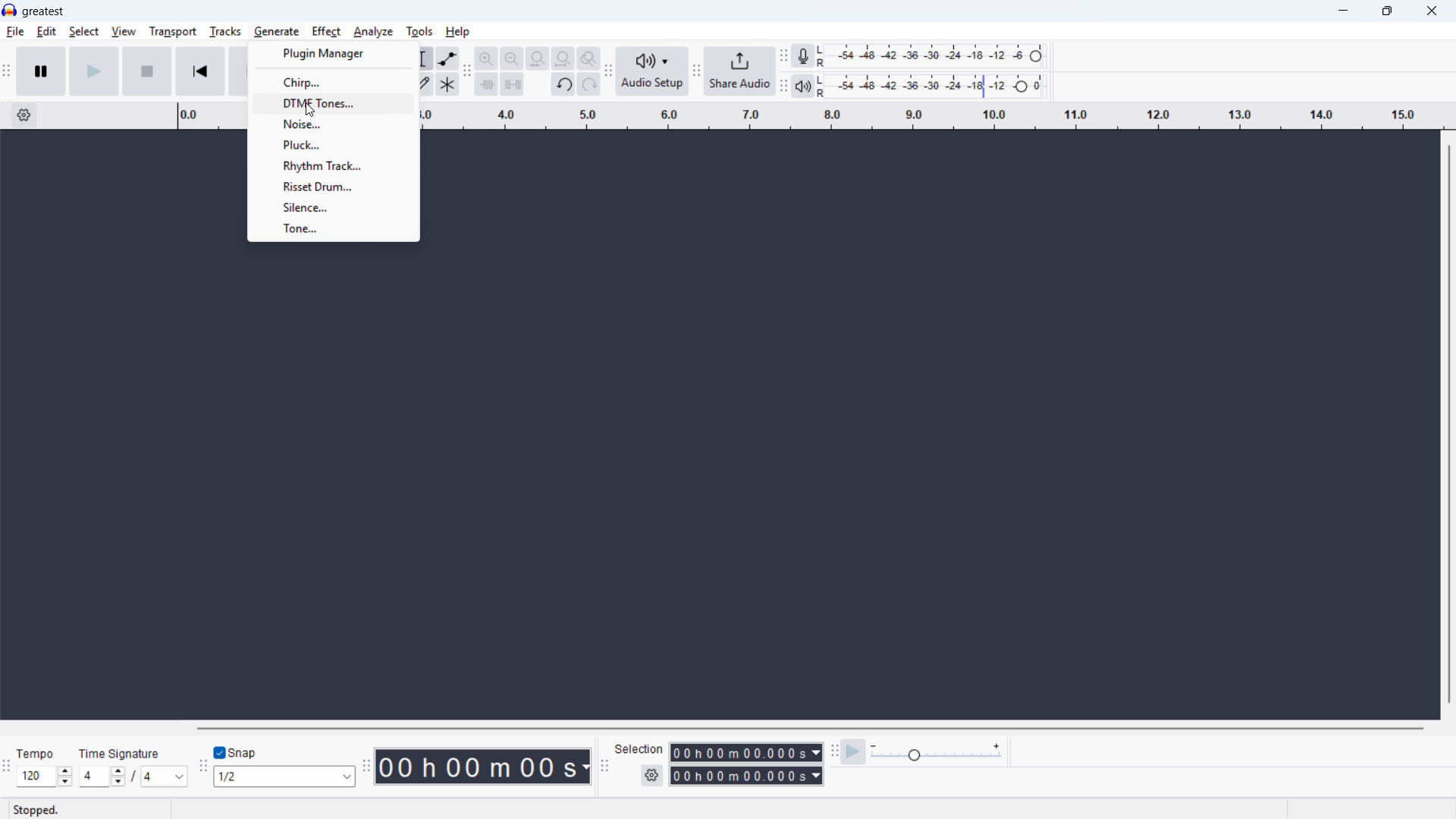 This screenshot has width=1456, height=819. I want to click on selection, so click(640, 749).